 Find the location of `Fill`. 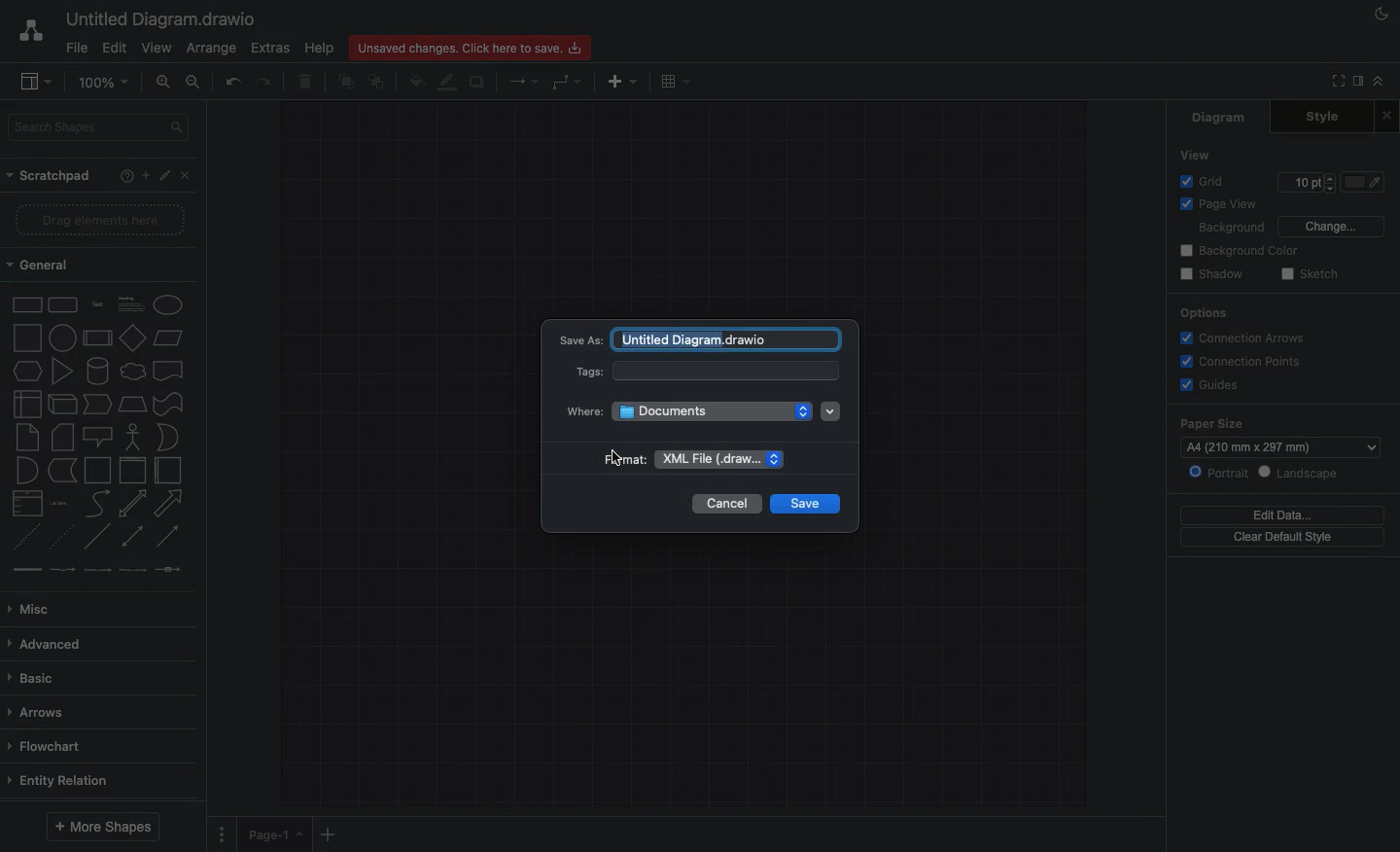

Fill is located at coordinates (1370, 183).